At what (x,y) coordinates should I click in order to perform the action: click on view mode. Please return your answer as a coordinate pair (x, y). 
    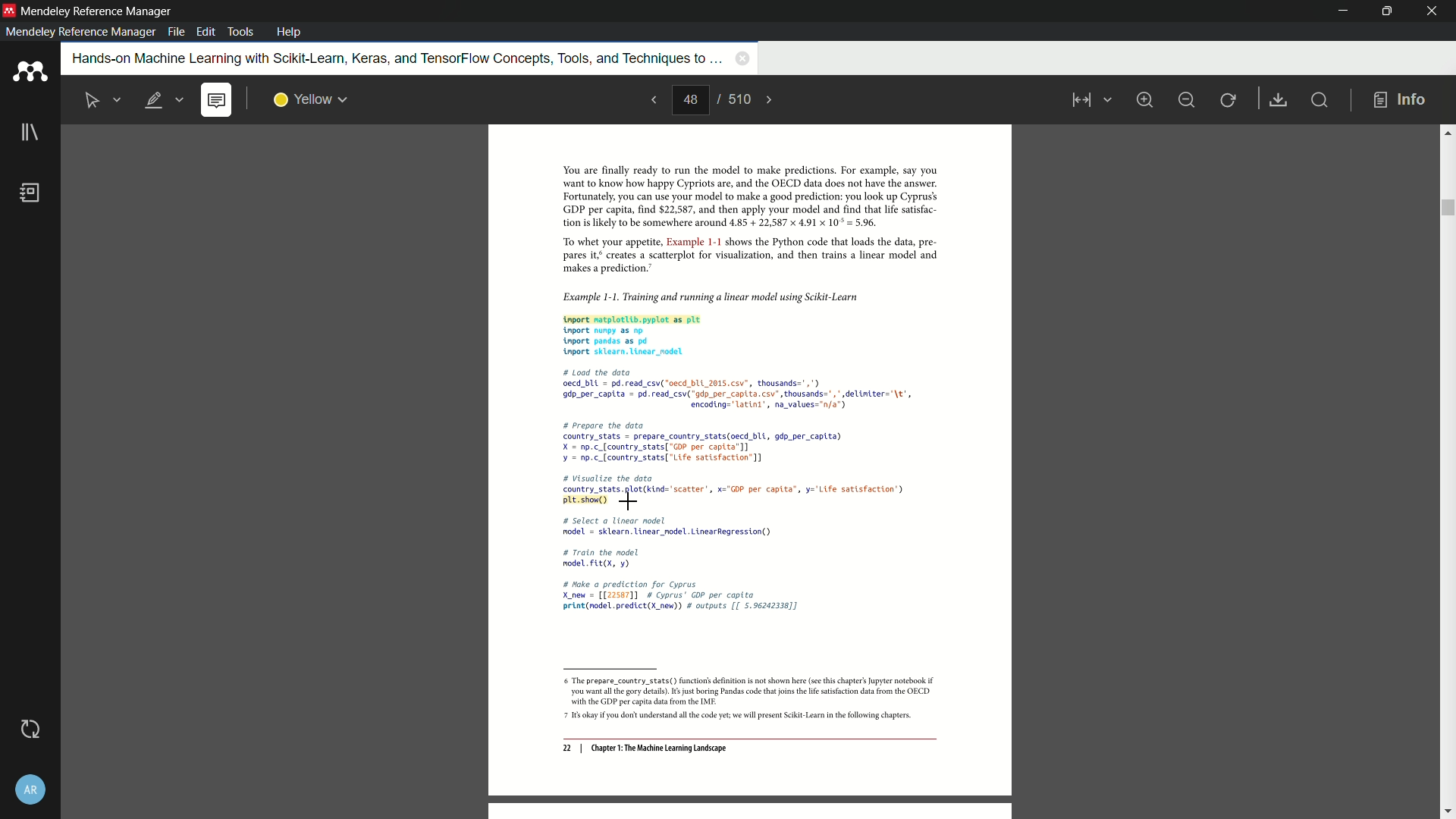
    Looking at the image, I should click on (1089, 100).